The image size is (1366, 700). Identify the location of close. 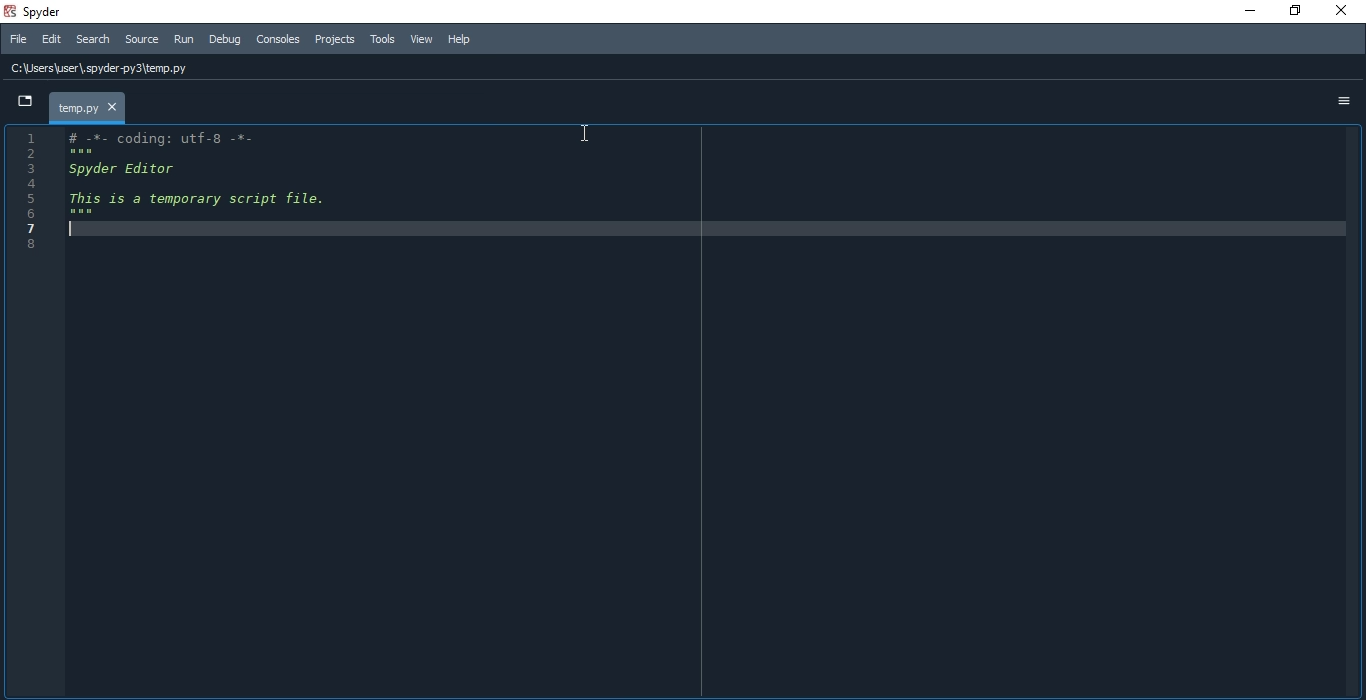
(1346, 12).